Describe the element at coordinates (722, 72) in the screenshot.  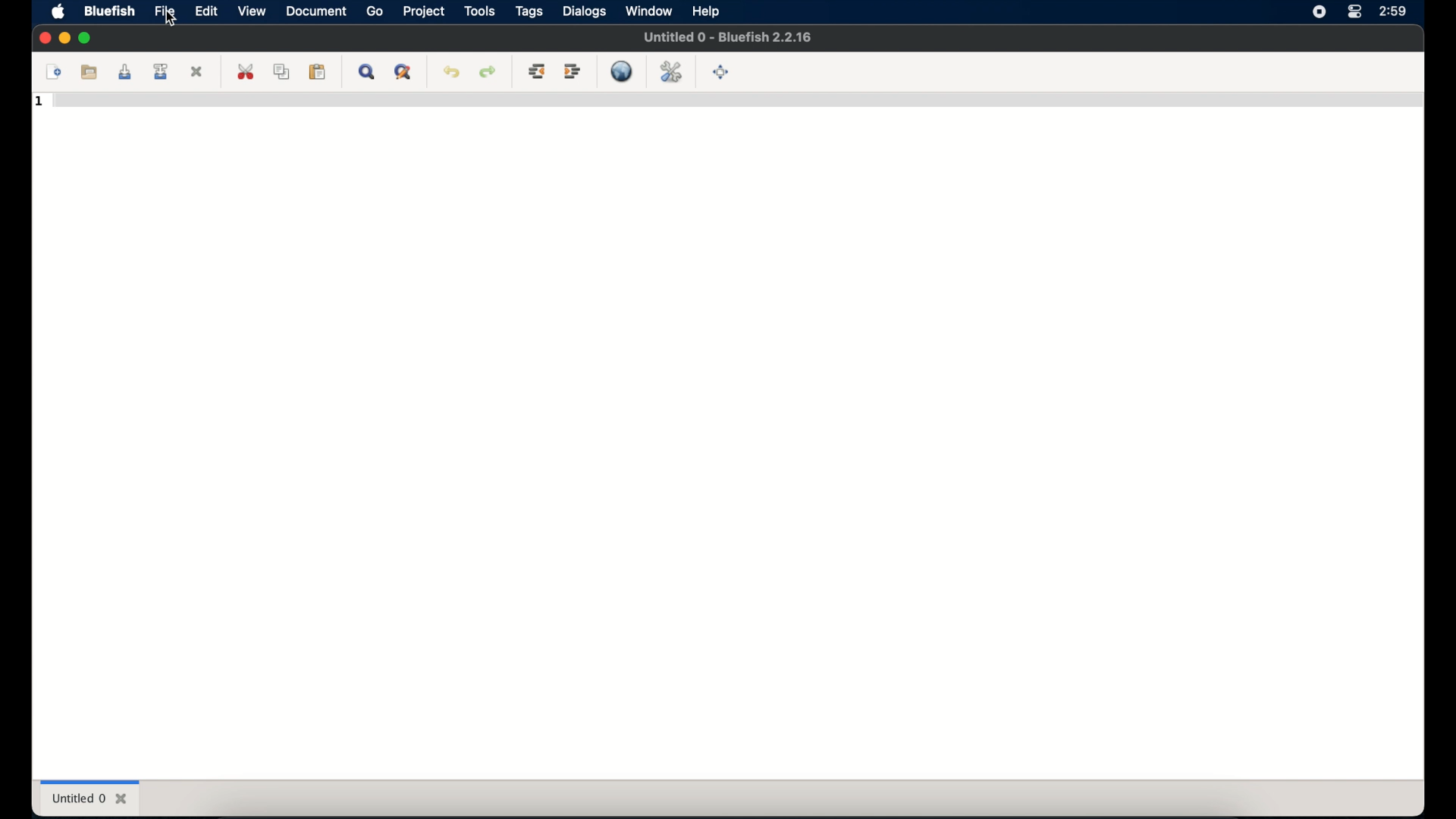
I see `full screen` at that location.